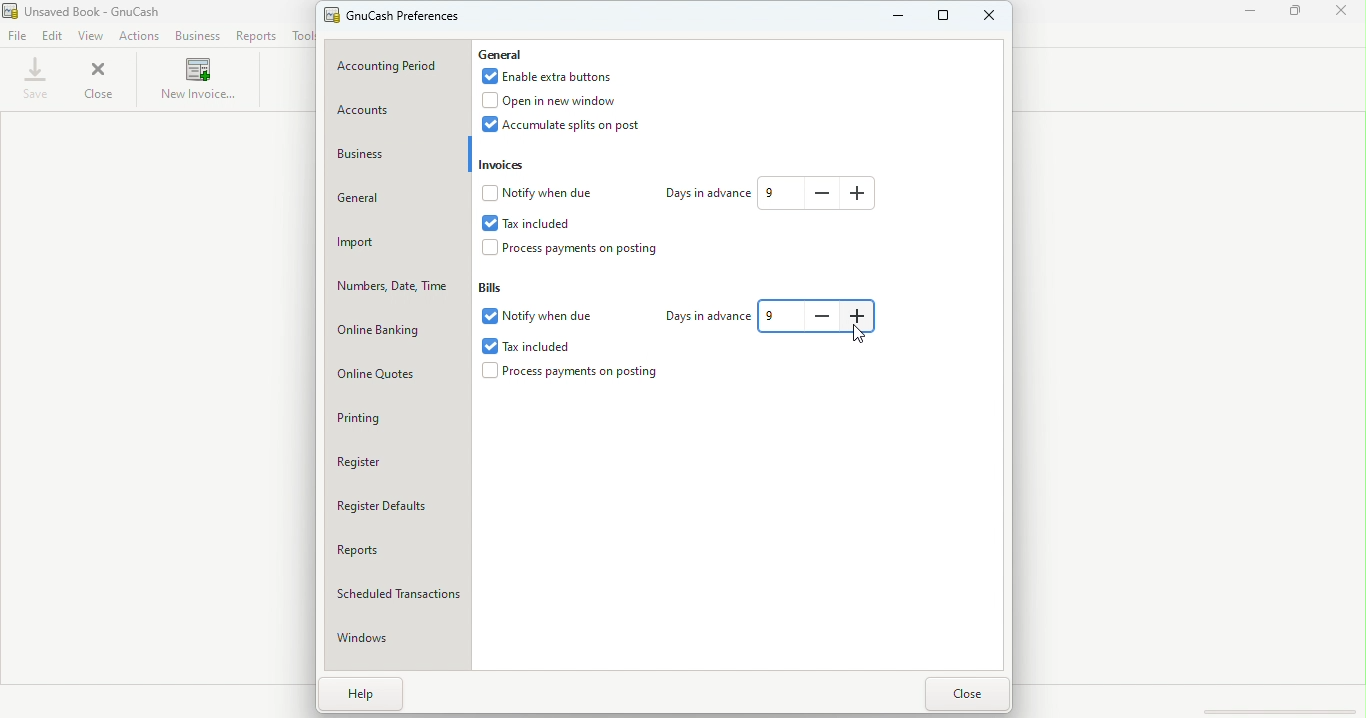 Image resolution: width=1366 pixels, height=718 pixels. Describe the element at coordinates (395, 242) in the screenshot. I see `Import` at that location.